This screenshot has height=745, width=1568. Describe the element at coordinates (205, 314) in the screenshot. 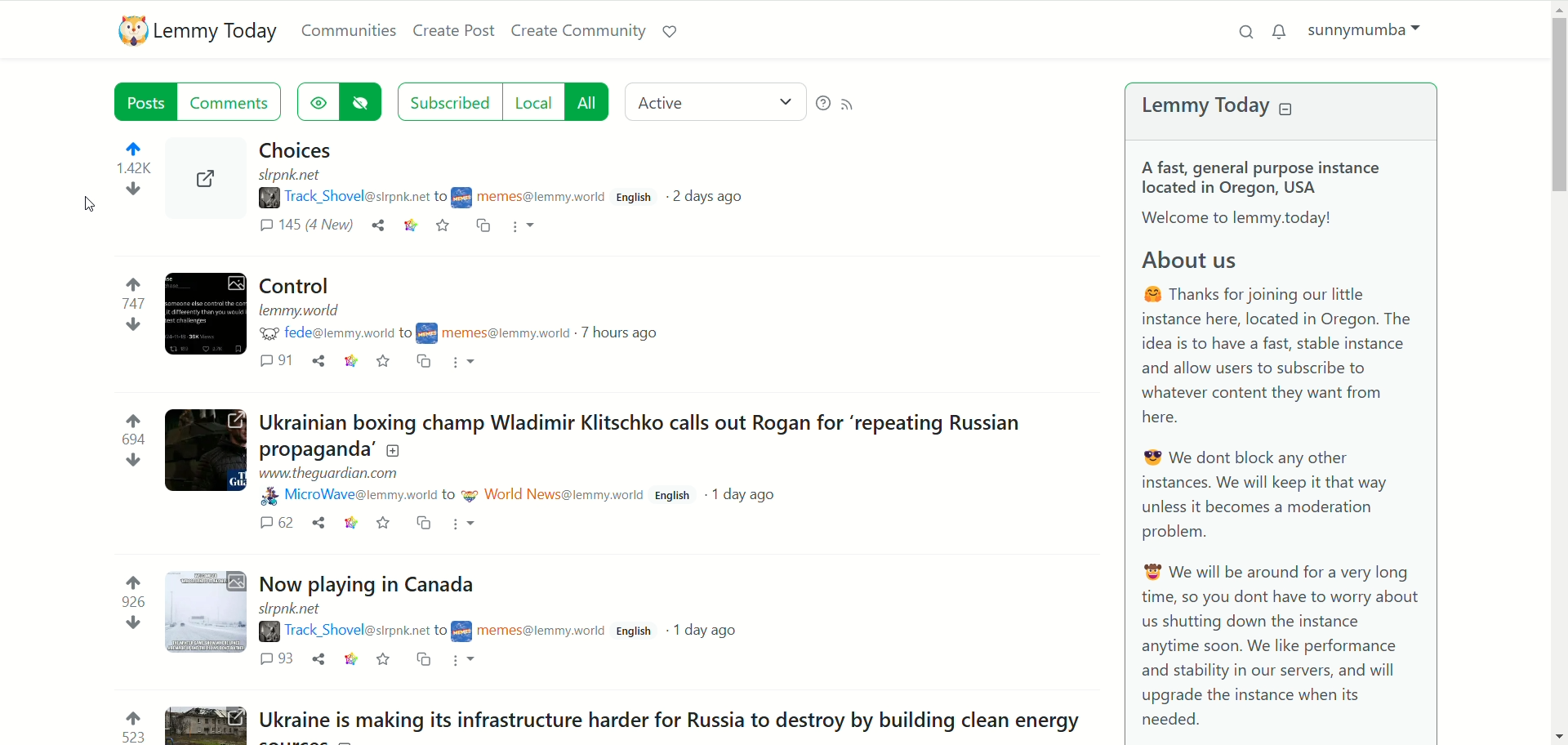

I see `Thumbnail` at that location.